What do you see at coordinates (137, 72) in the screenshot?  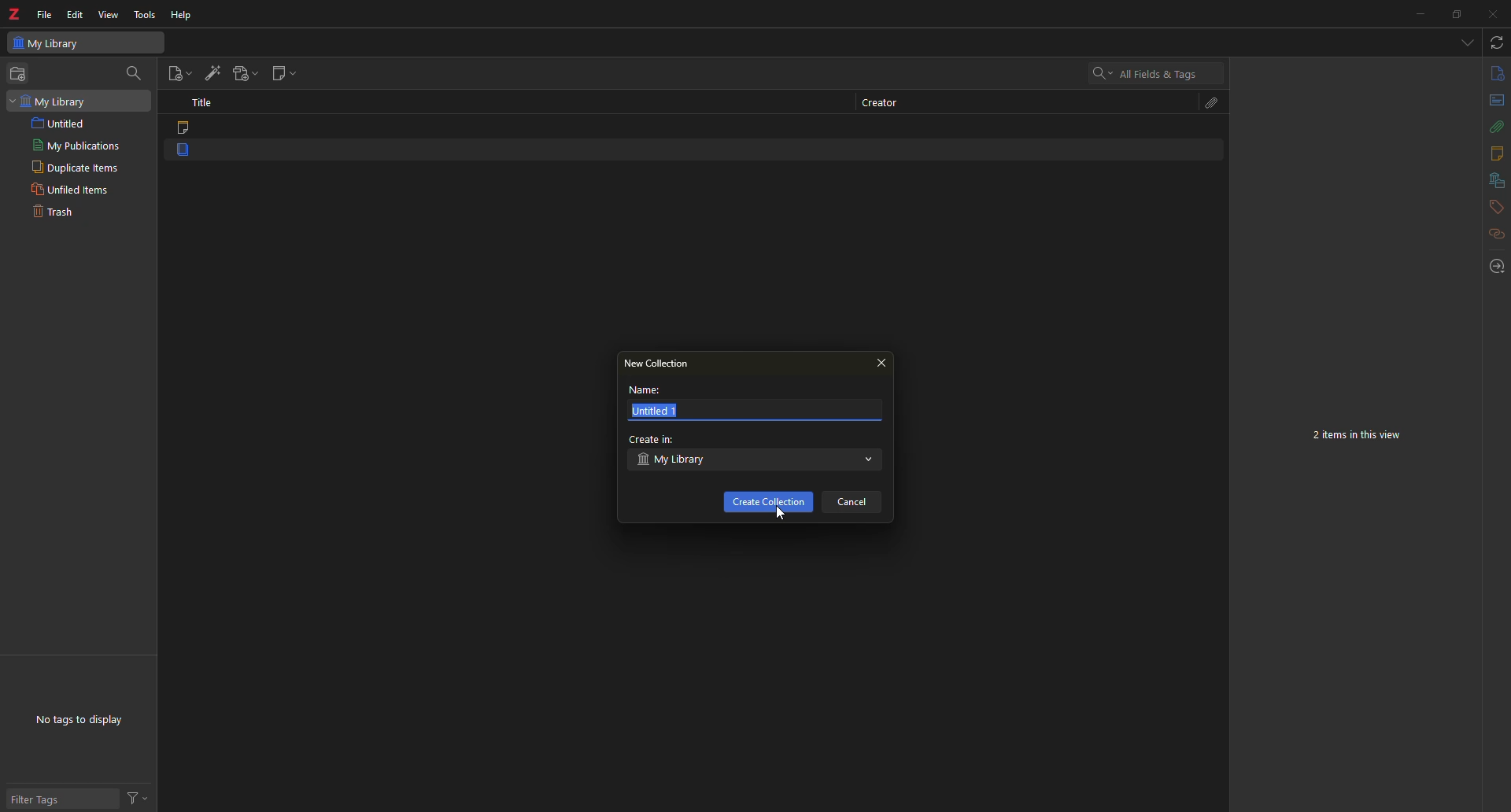 I see `search` at bounding box center [137, 72].